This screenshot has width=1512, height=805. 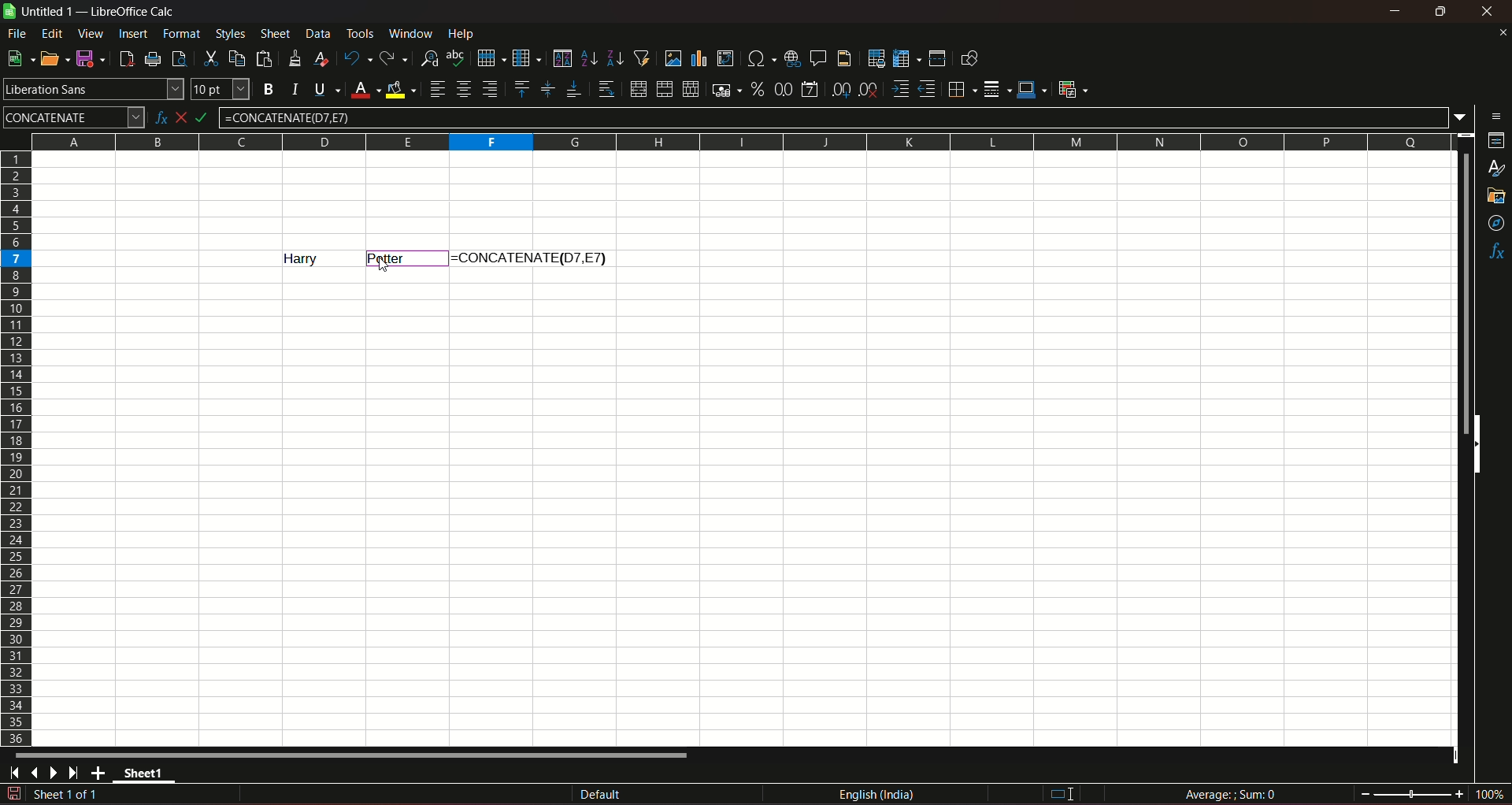 I want to click on add decimal place, so click(x=838, y=90).